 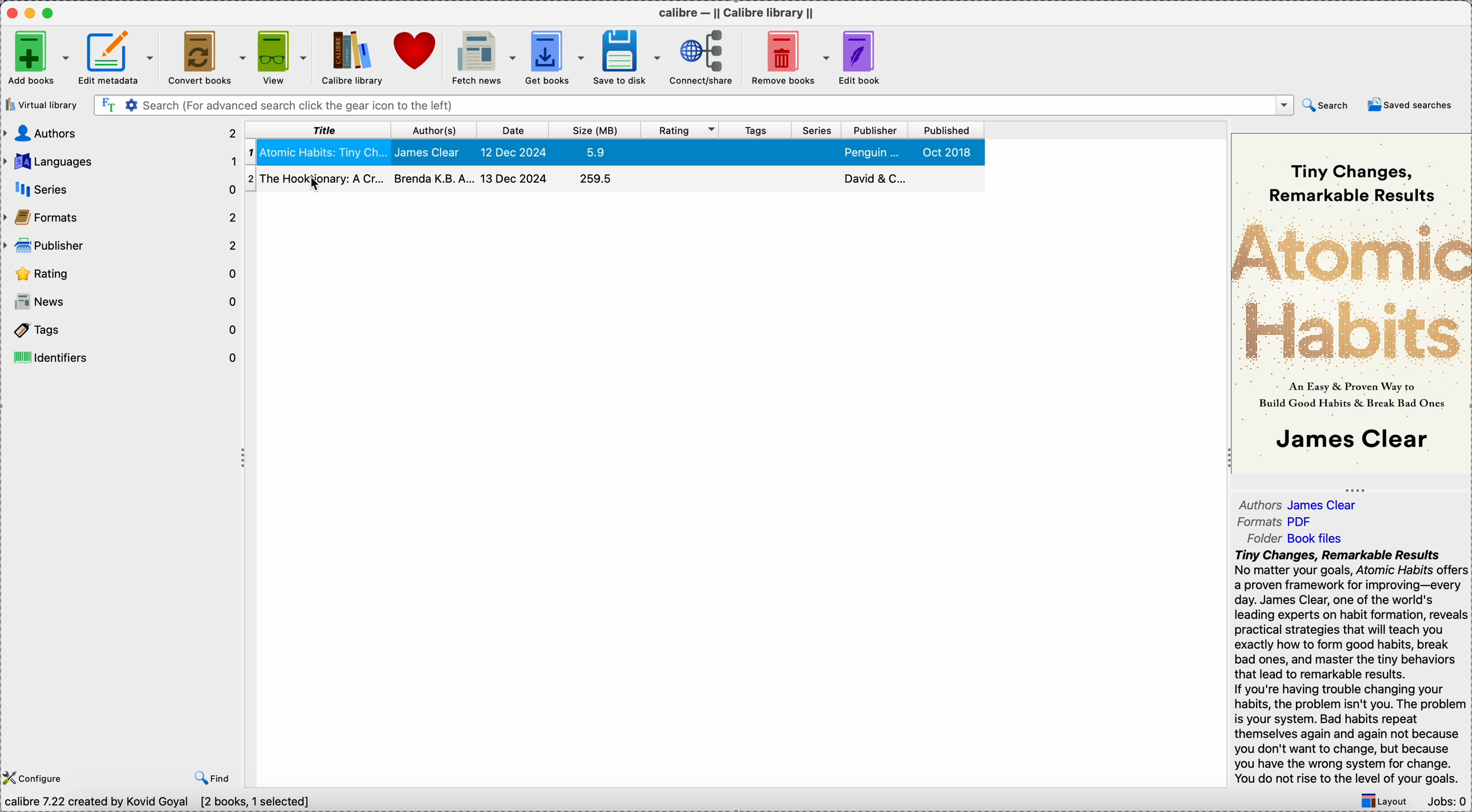 What do you see at coordinates (1350, 305) in the screenshot?
I see `book cover preview` at bounding box center [1350, 305].